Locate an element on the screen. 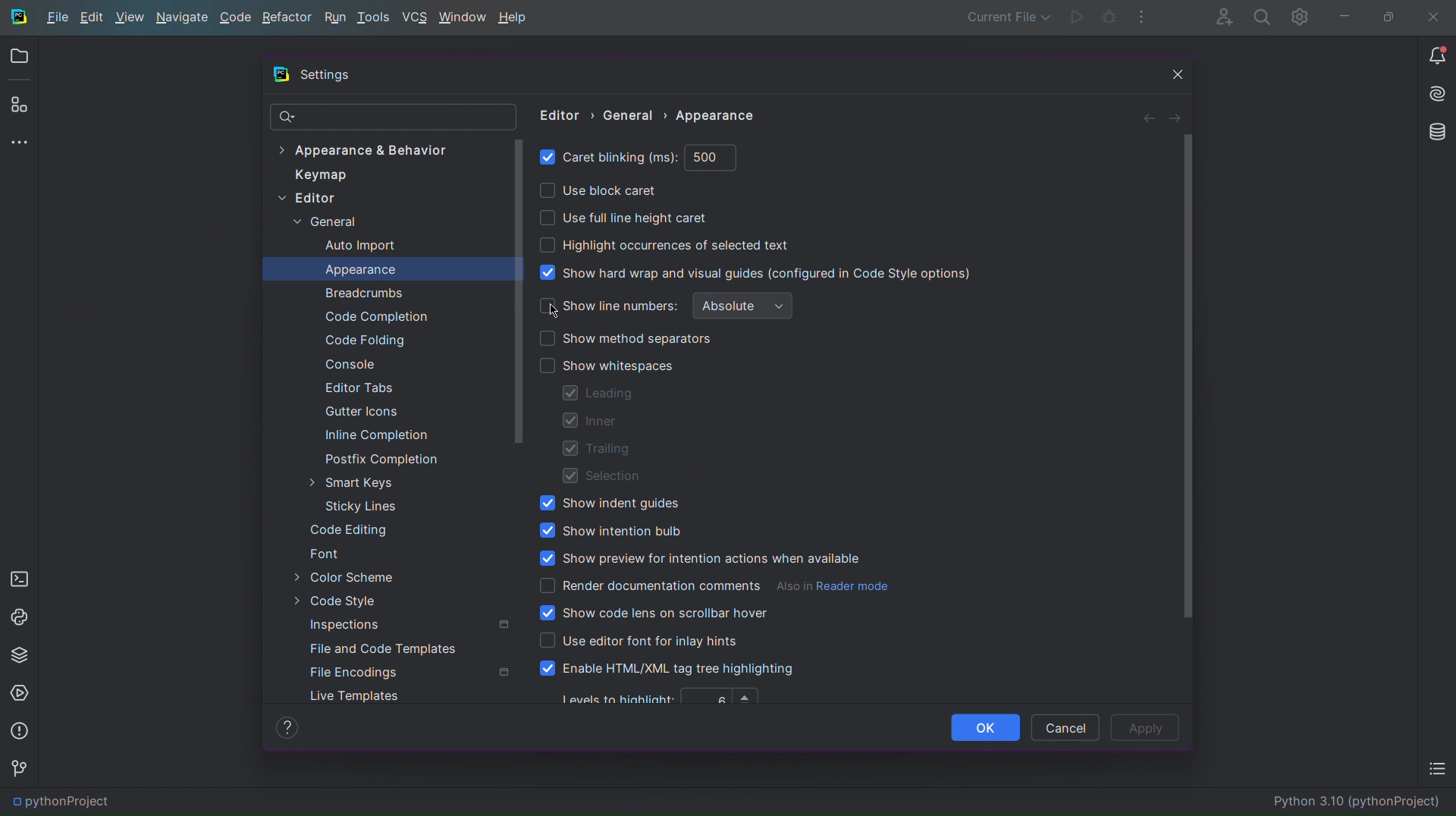  OK is located at coordinates (984, 727).